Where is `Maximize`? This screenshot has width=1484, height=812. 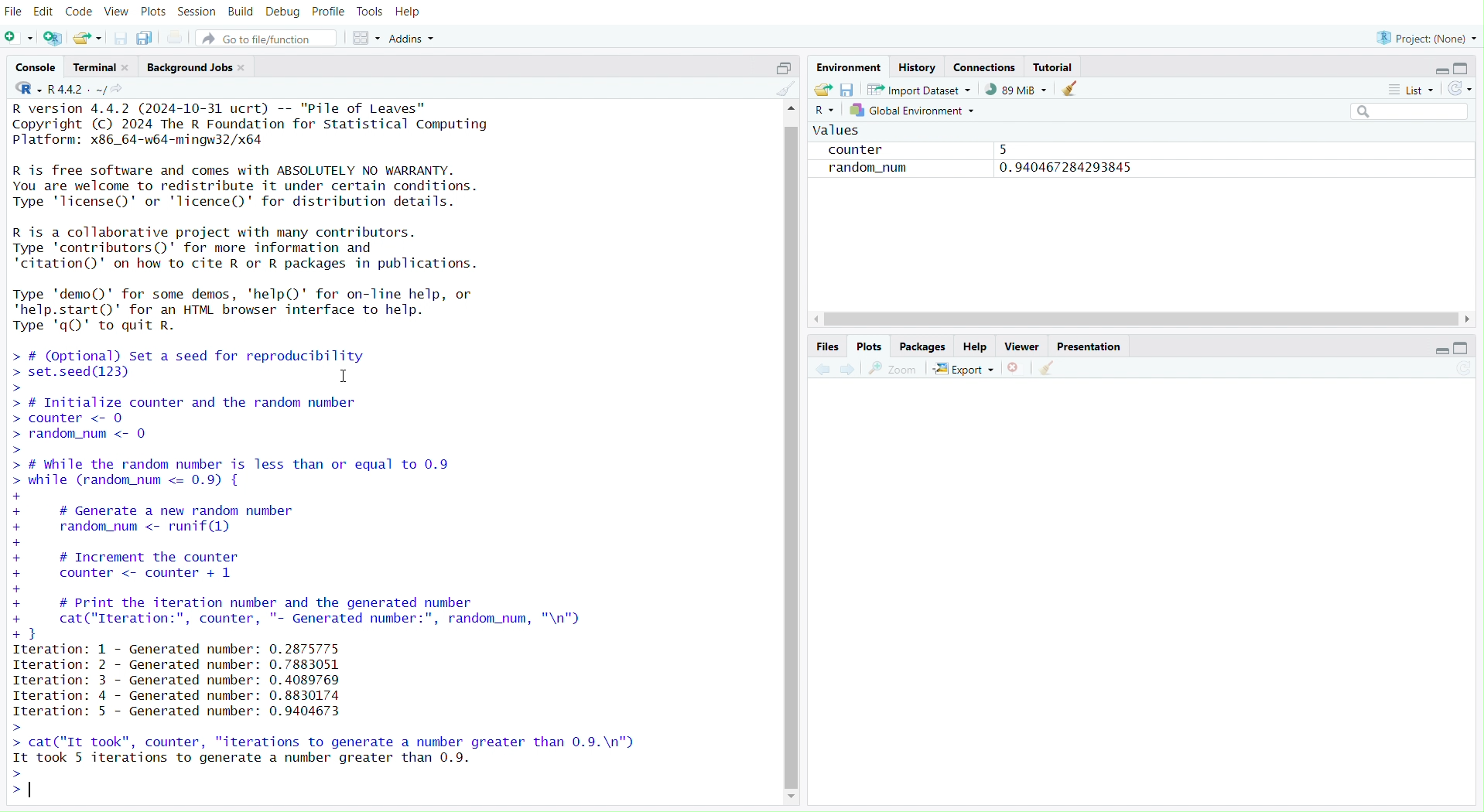
Maximize is located at coordinates (1464, 346).